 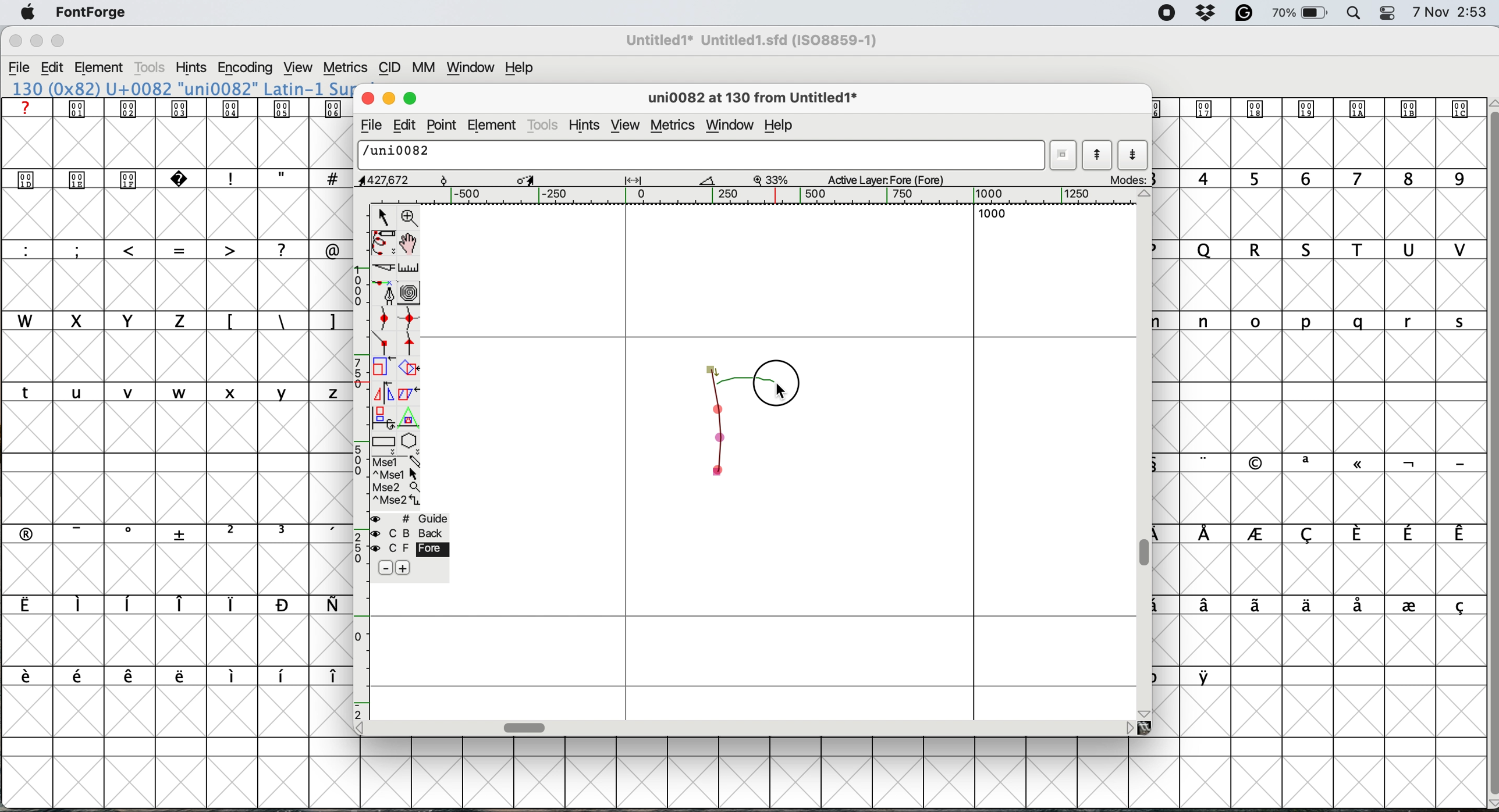 What do you see at coordinates (91, 12) in the screenshot?
I see `fontforge` at bounding box center [91, 12].